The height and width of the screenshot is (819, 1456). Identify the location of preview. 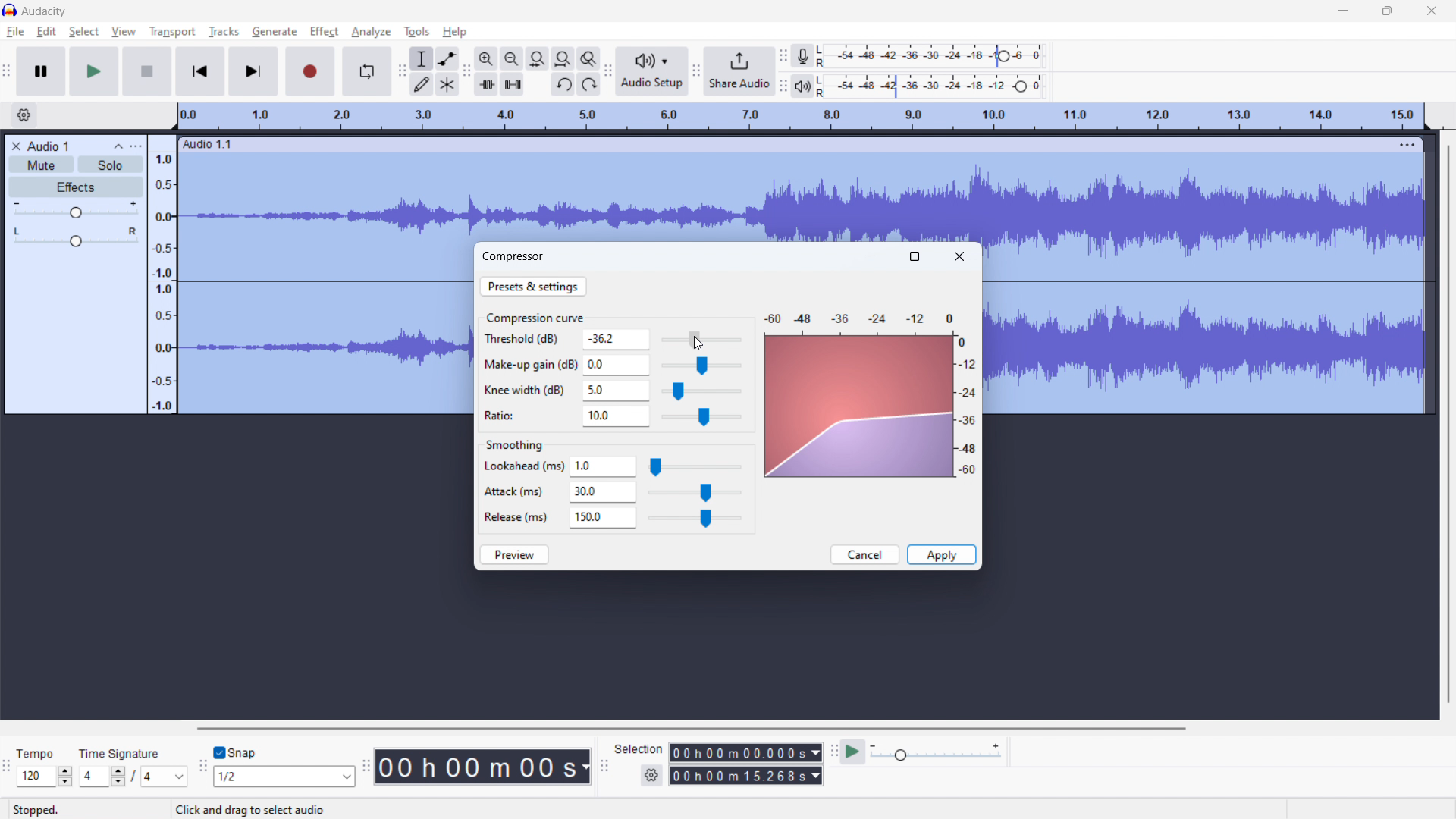
(515, 554).